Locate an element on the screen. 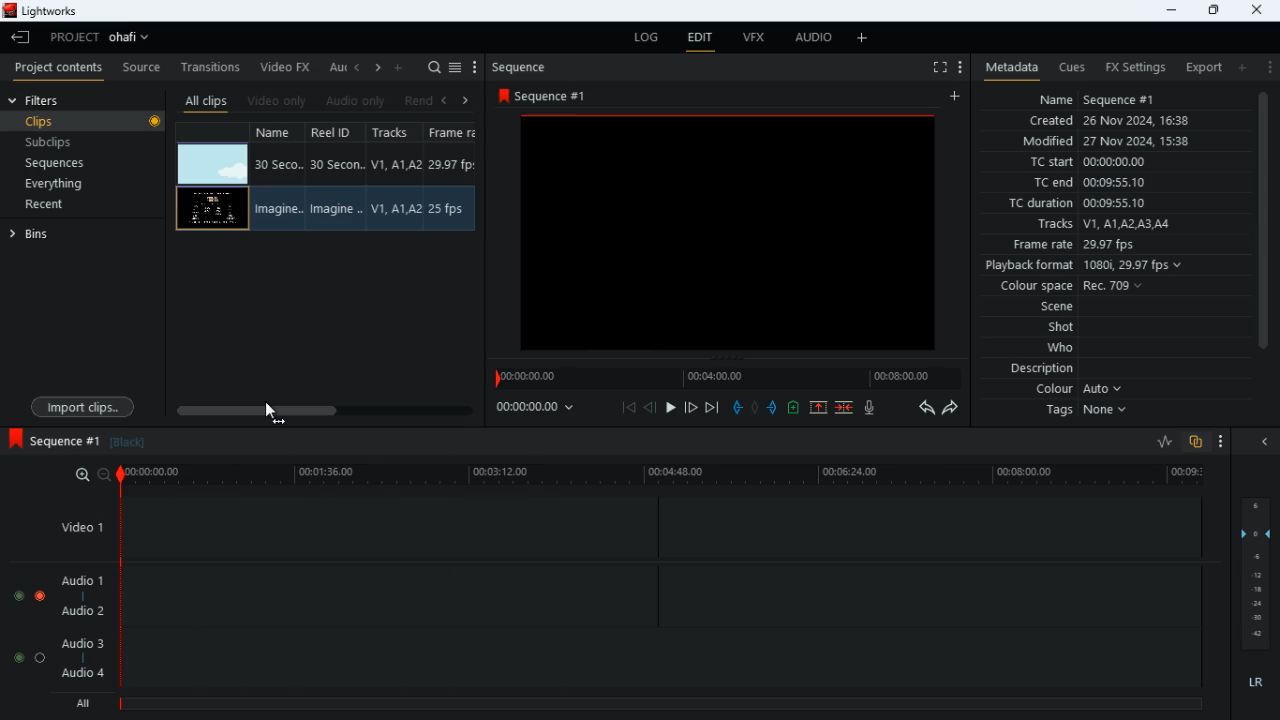 The height and width of the screenshot is (720, 1280). rend is located at coordinates (418, 99).